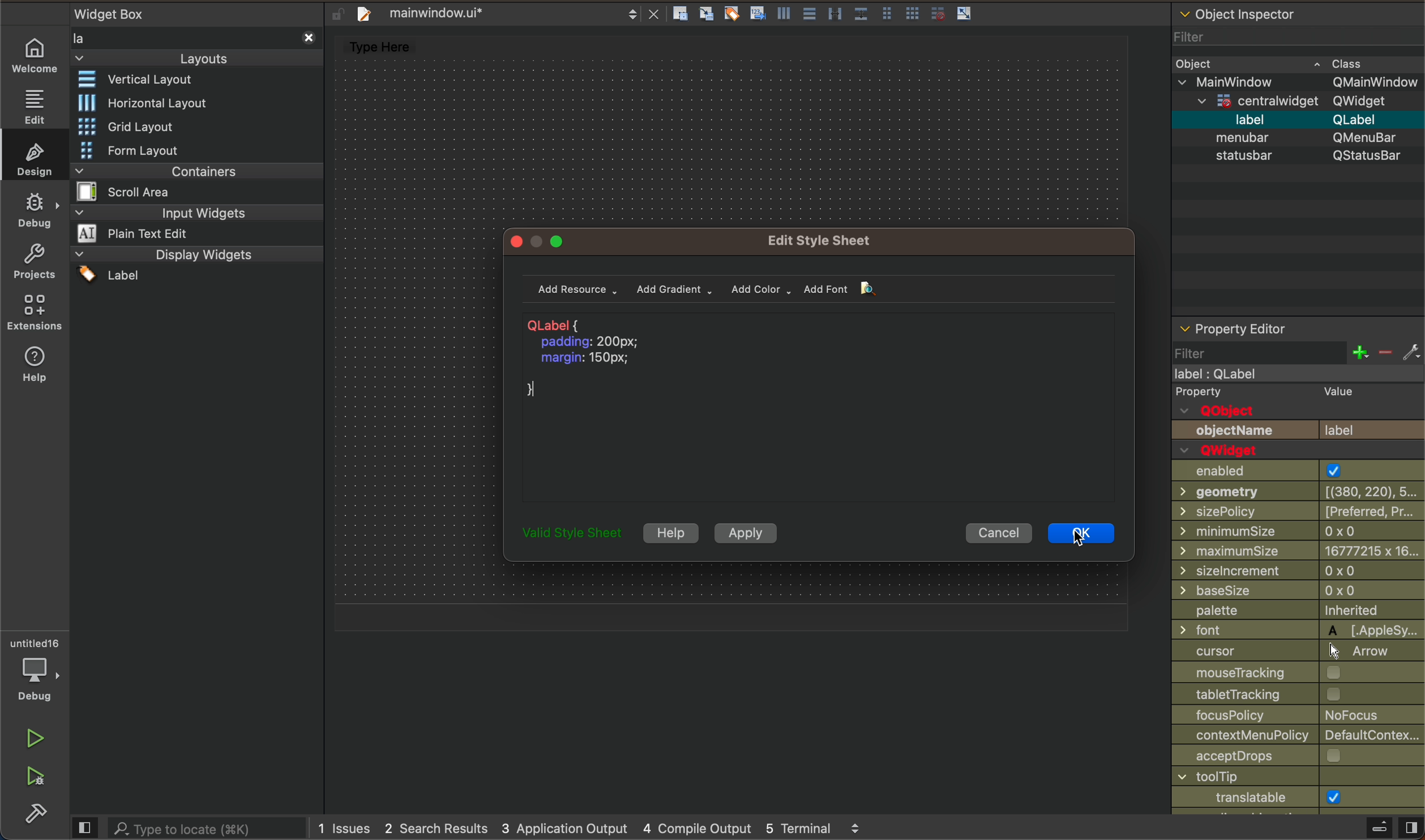 This screenshot has height=840, width=1425. What do you see at coordinates (539, 240) in the screenshot?
I see `window actions` at bounding box center [539, 240].